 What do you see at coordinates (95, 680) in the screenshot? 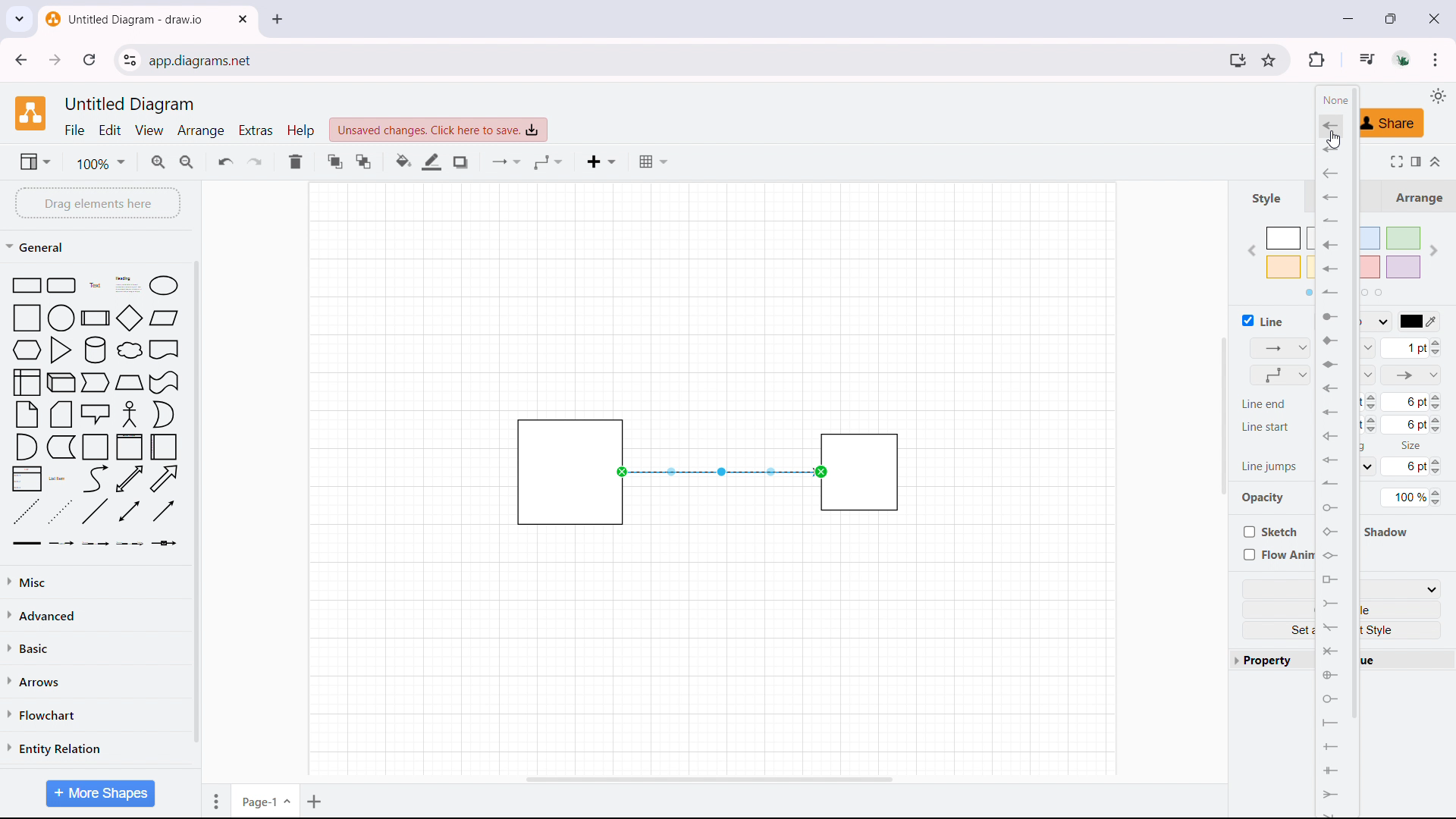
I see `arrows` at bounding box center [95, 680].